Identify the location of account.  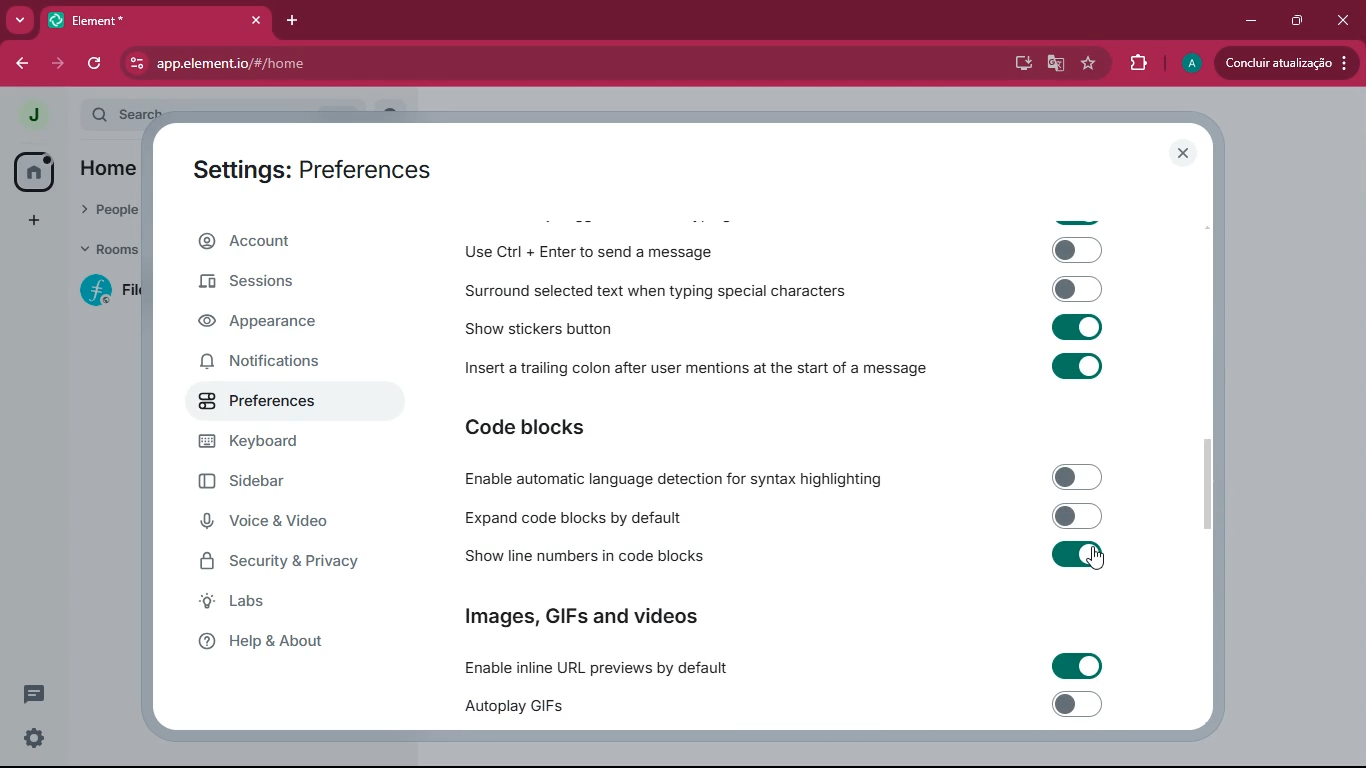
(293, 241).